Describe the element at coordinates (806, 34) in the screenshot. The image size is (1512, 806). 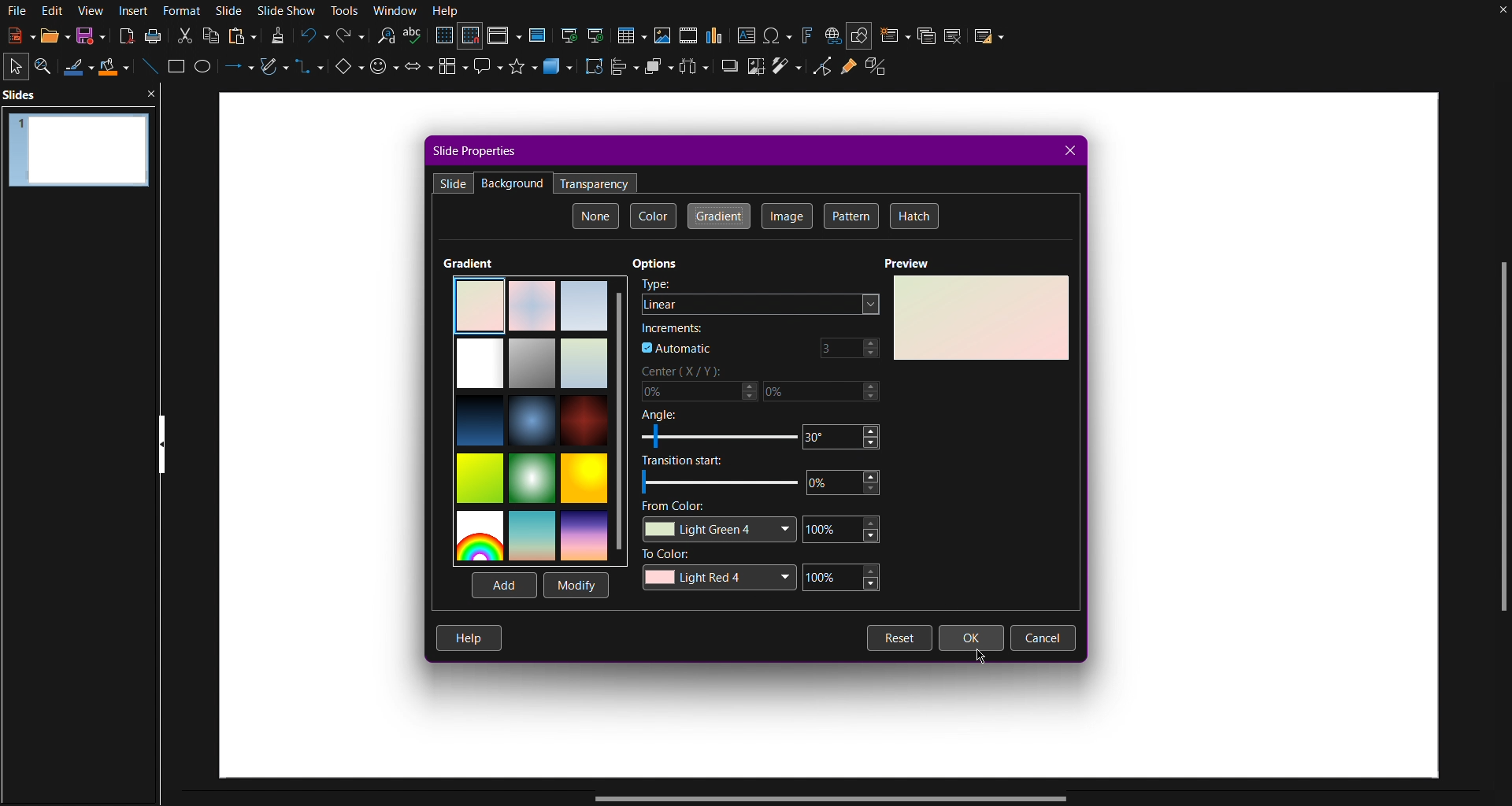
I see `Fontworks` at that location.